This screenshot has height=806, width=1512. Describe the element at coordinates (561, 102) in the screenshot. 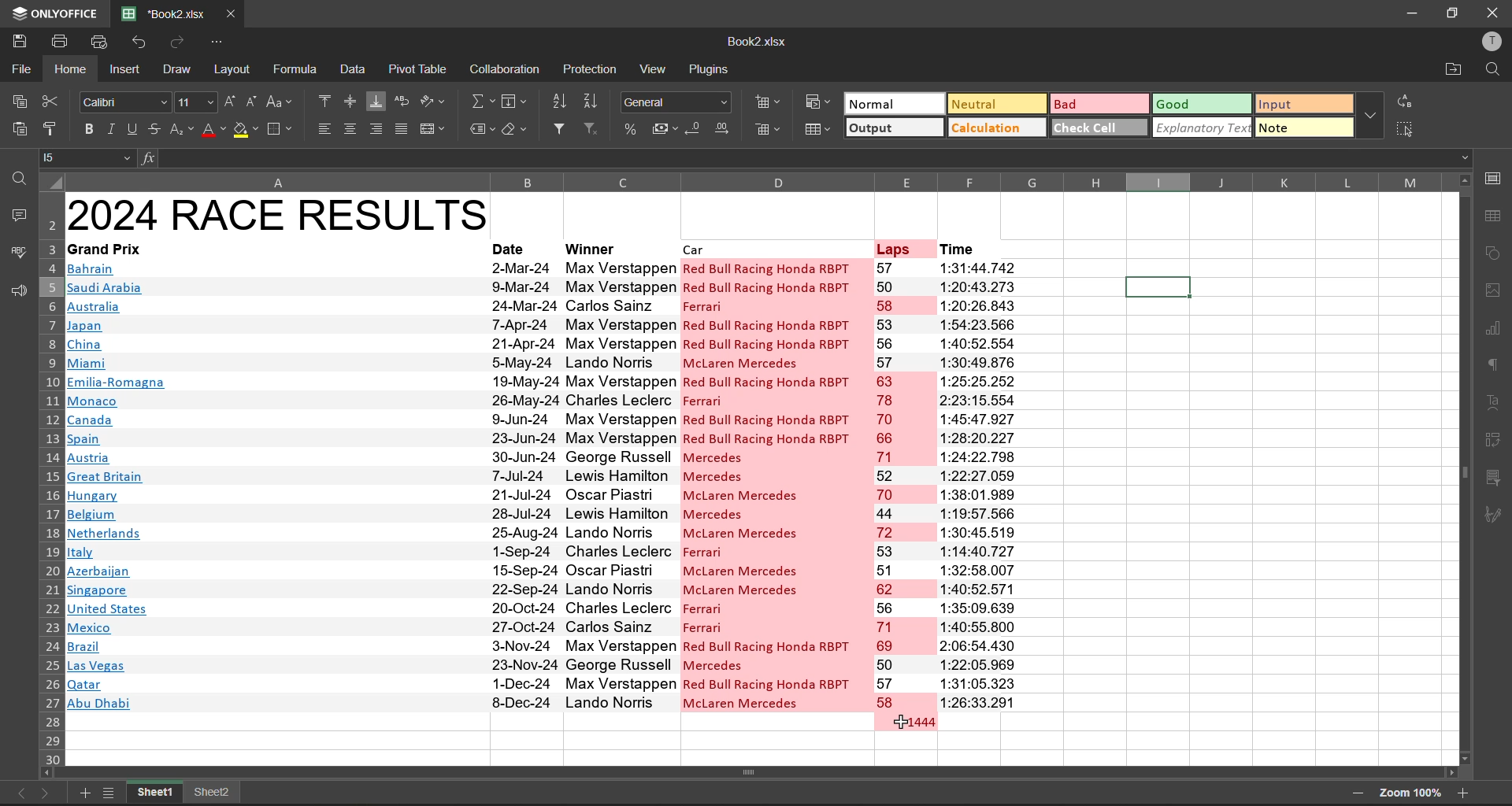

I see `sort ascending` at that location.